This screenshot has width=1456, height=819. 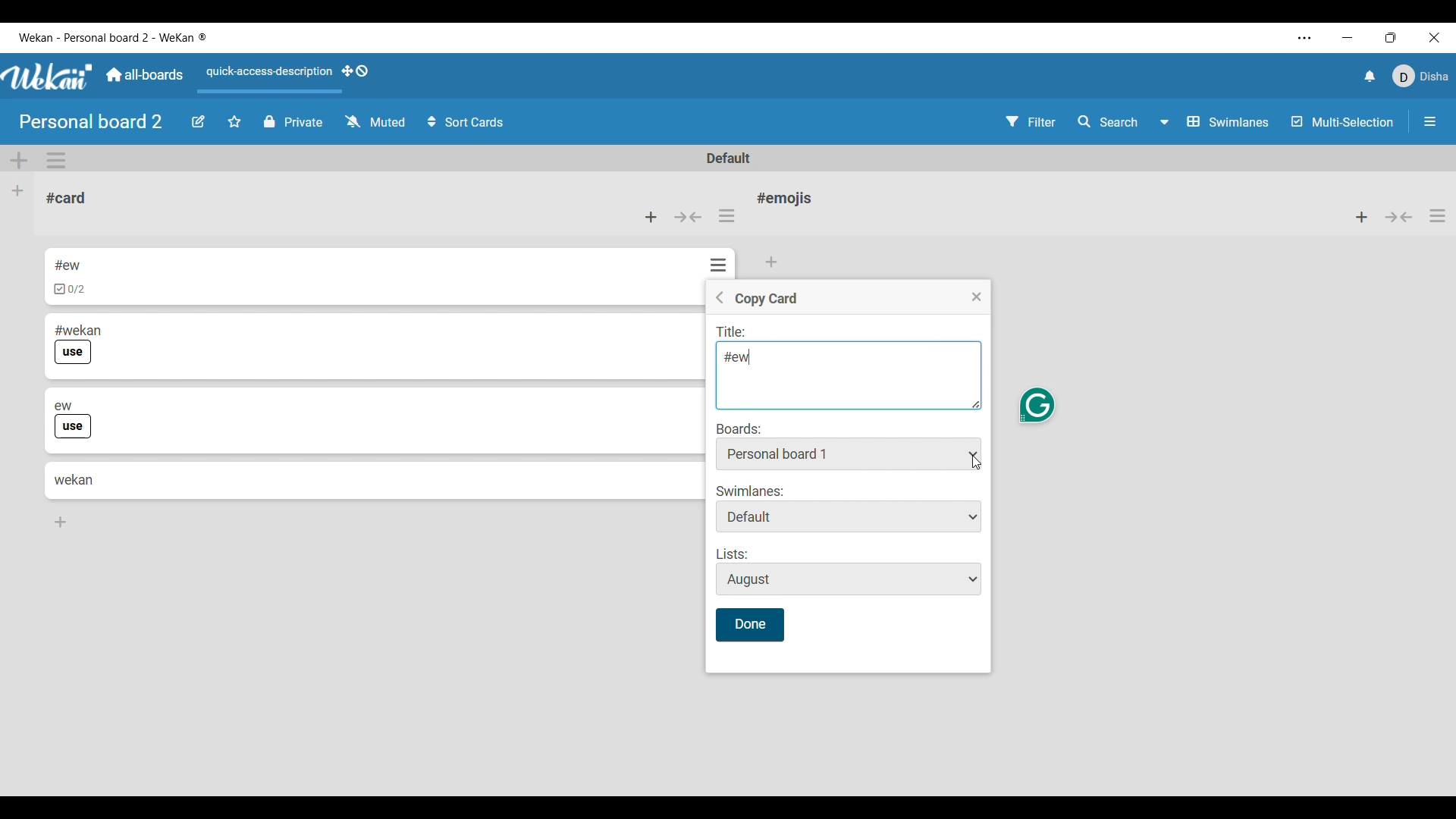 I want to click on Change dimension of title menu, so click(x=977, y=404).